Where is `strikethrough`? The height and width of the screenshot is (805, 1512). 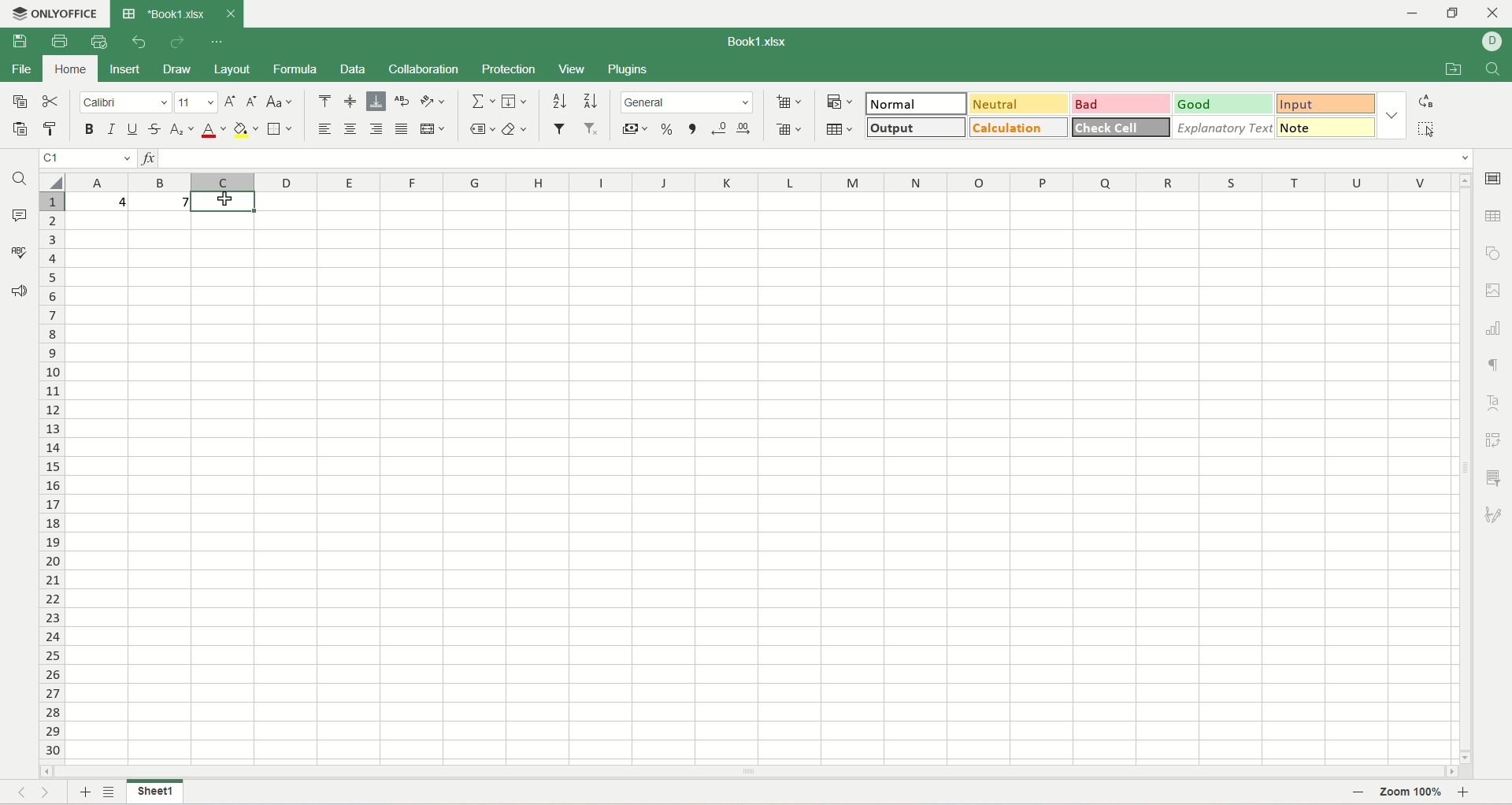 strikethrough is located at coordinates (155, 129).